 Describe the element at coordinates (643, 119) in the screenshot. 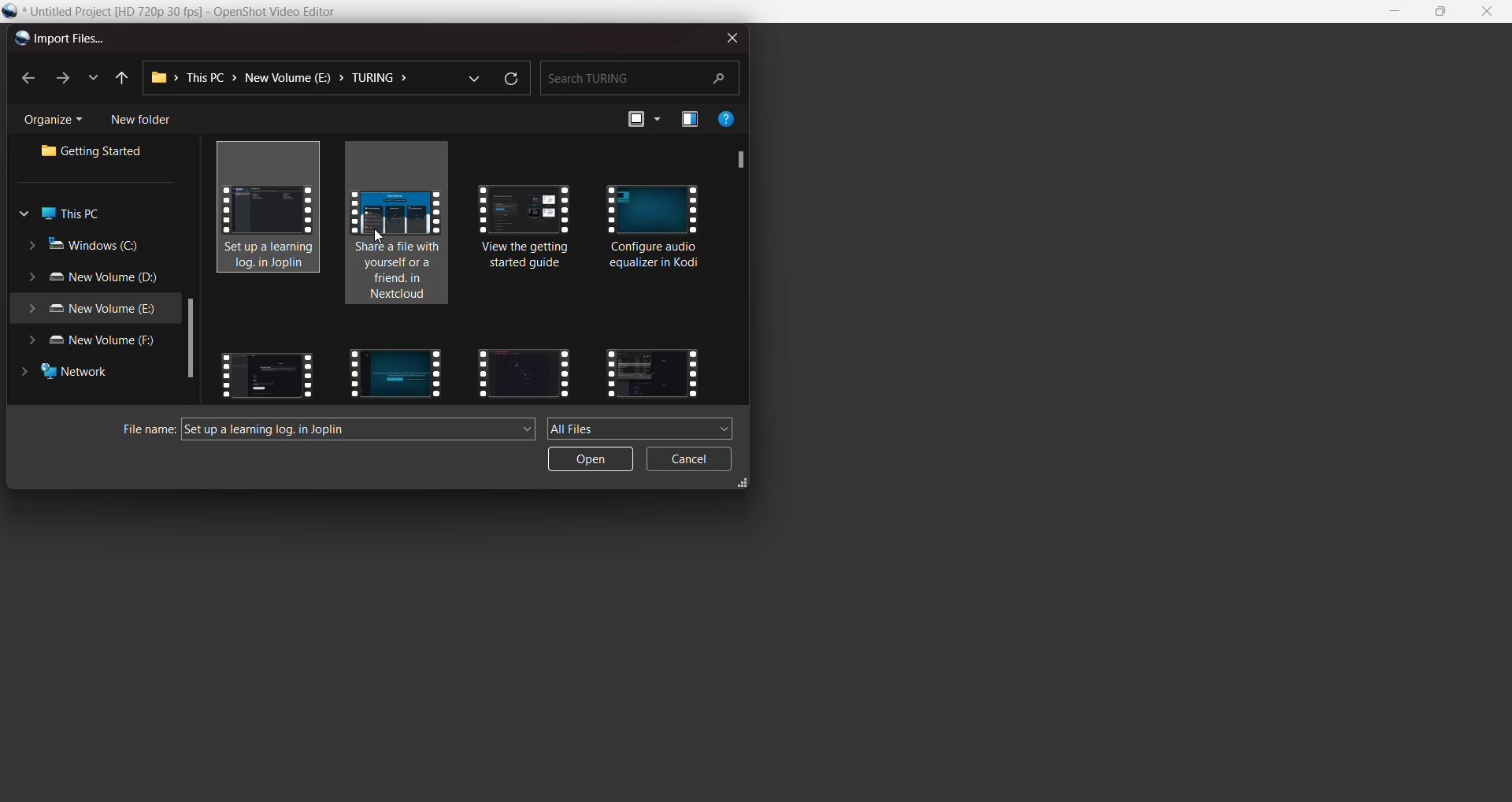

I see `view` at that location.